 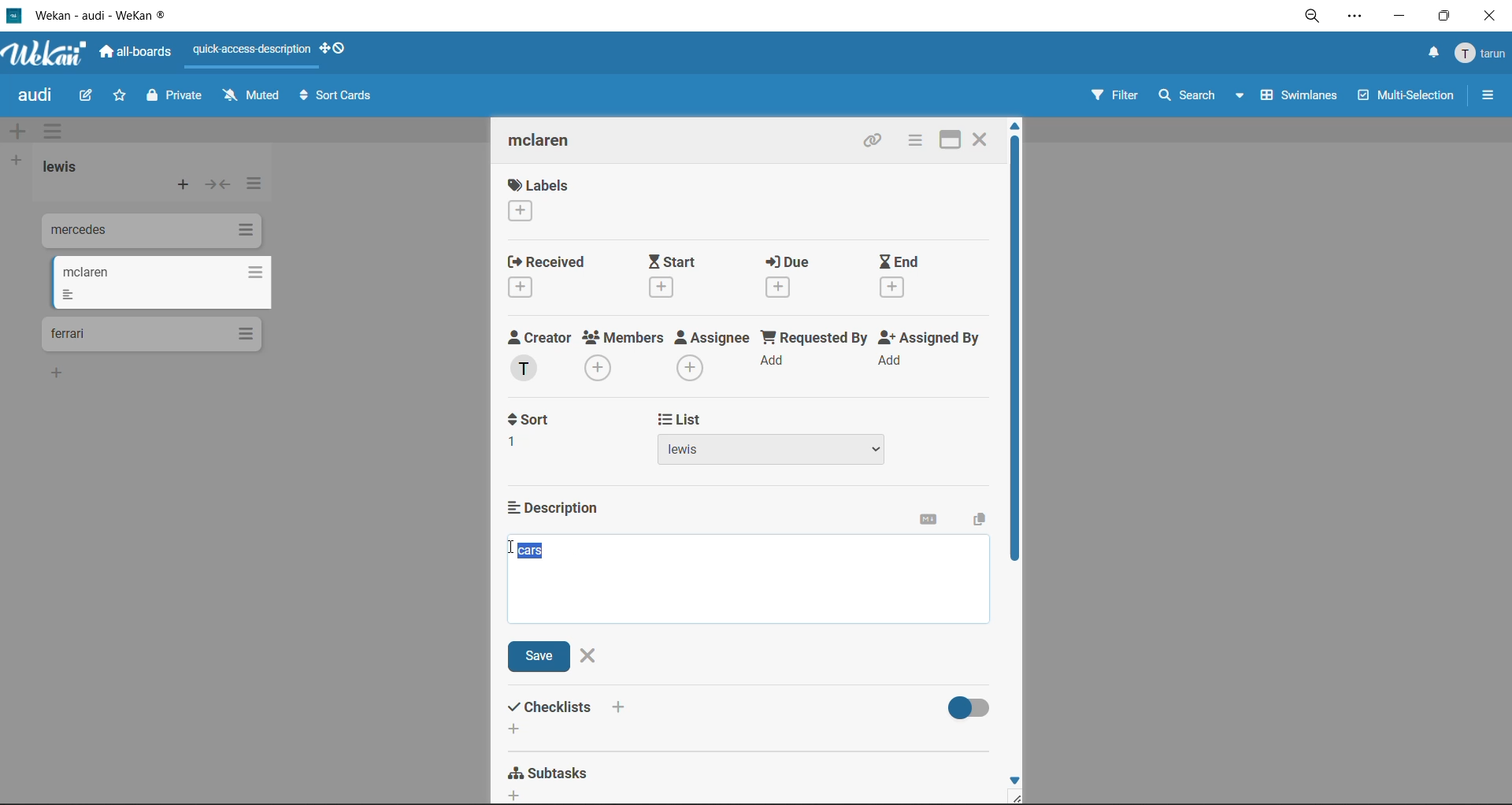 What do you see at coordinates (626, 358) in the screenshot?
I see `members` at bounding box center [626, 358].